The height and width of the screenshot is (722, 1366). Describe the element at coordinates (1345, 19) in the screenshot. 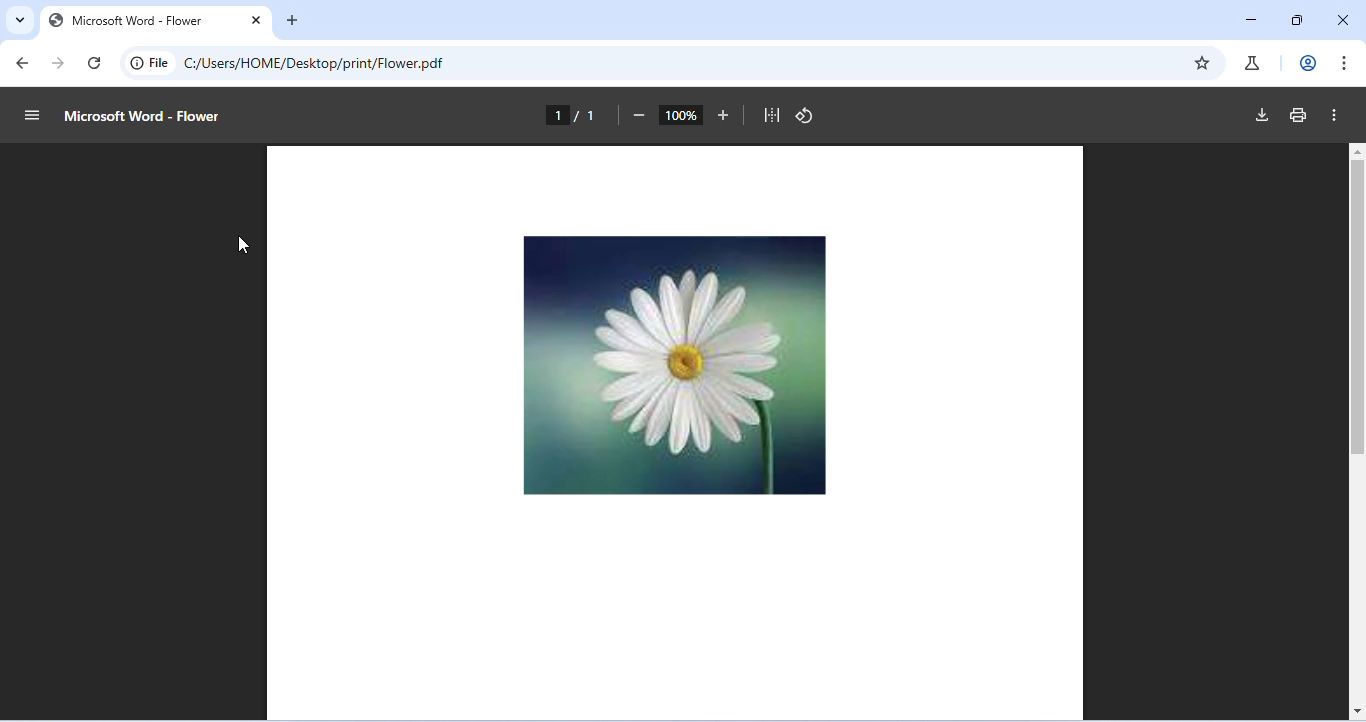

I see `close` at that location.